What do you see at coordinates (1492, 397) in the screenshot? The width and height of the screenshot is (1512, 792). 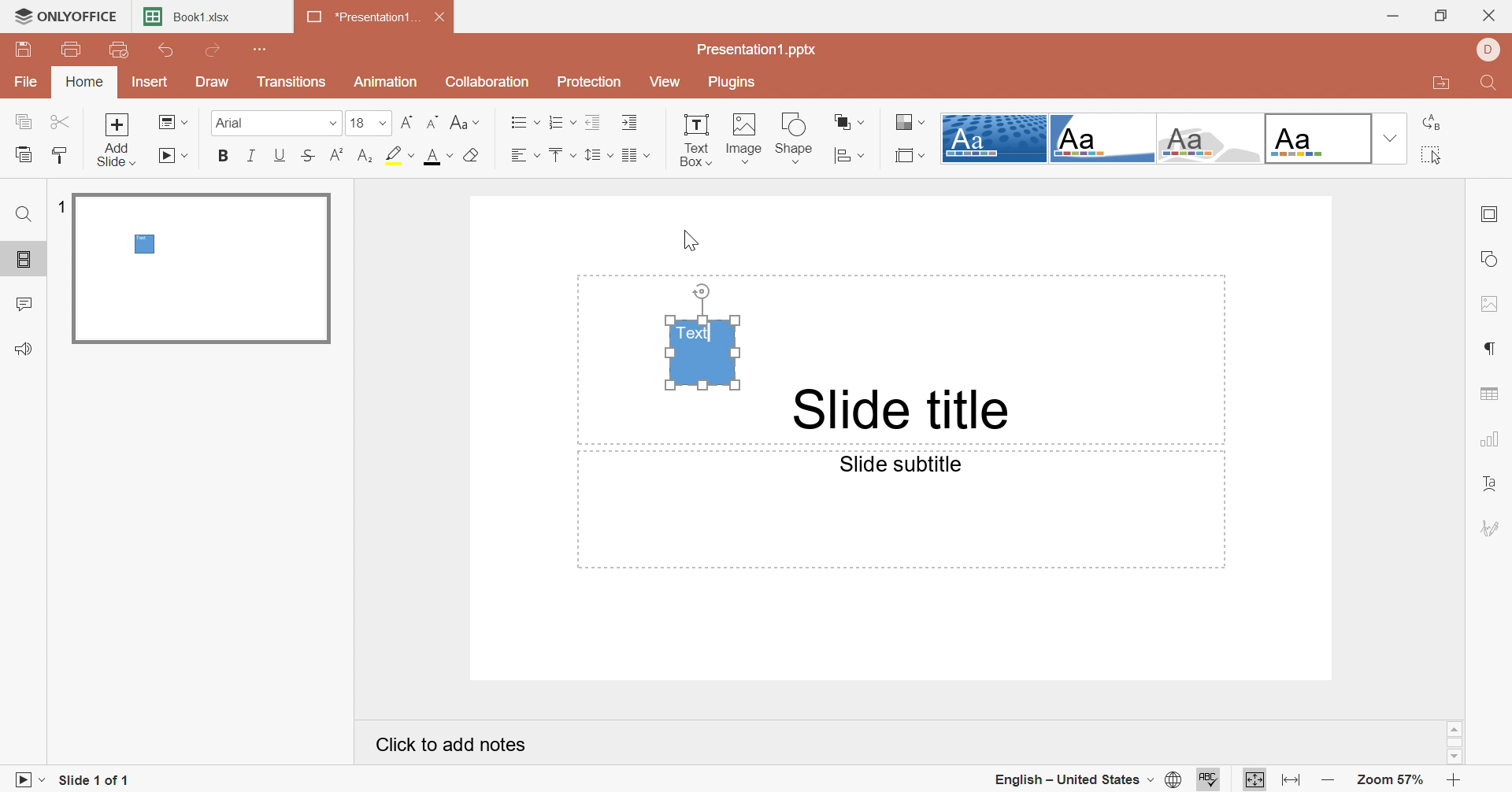 I see `Table settings` at bounding box center [1492, 397].